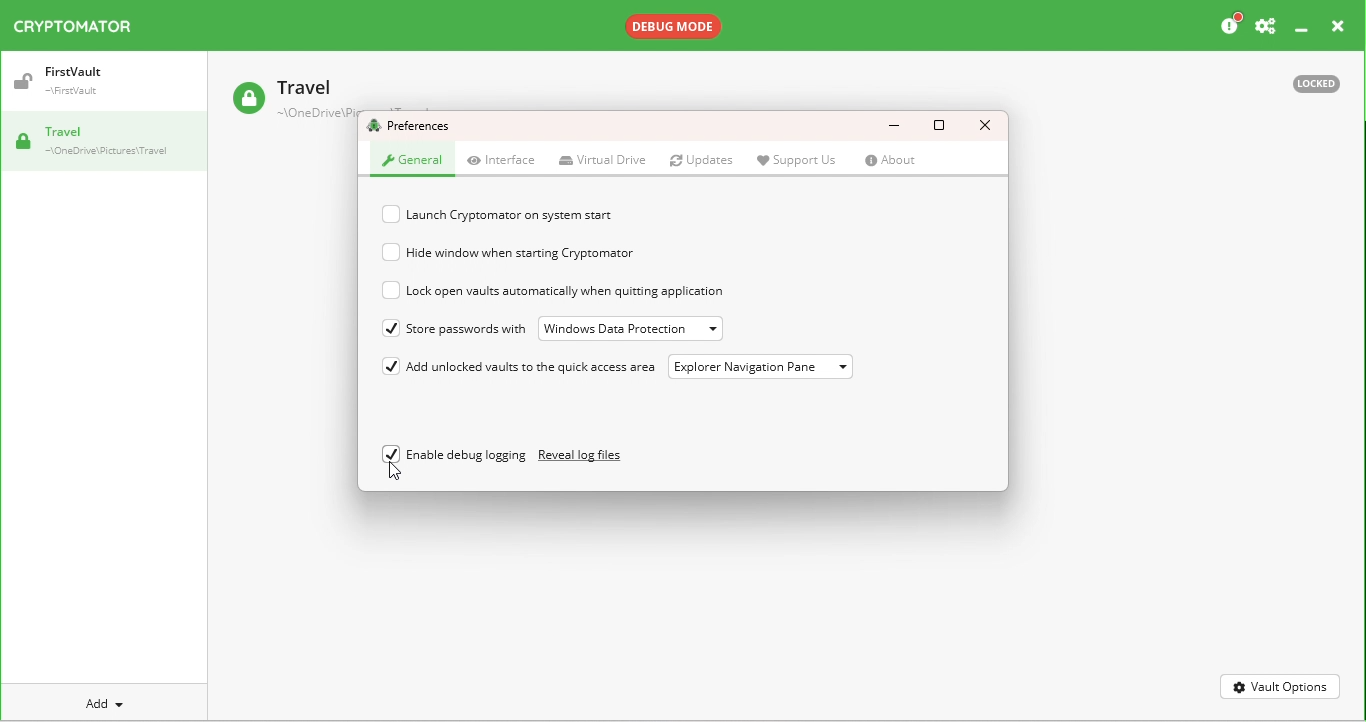 The width and height of the screenshot is (1366, 722). I want to click on checkbox, so click(392, 332).